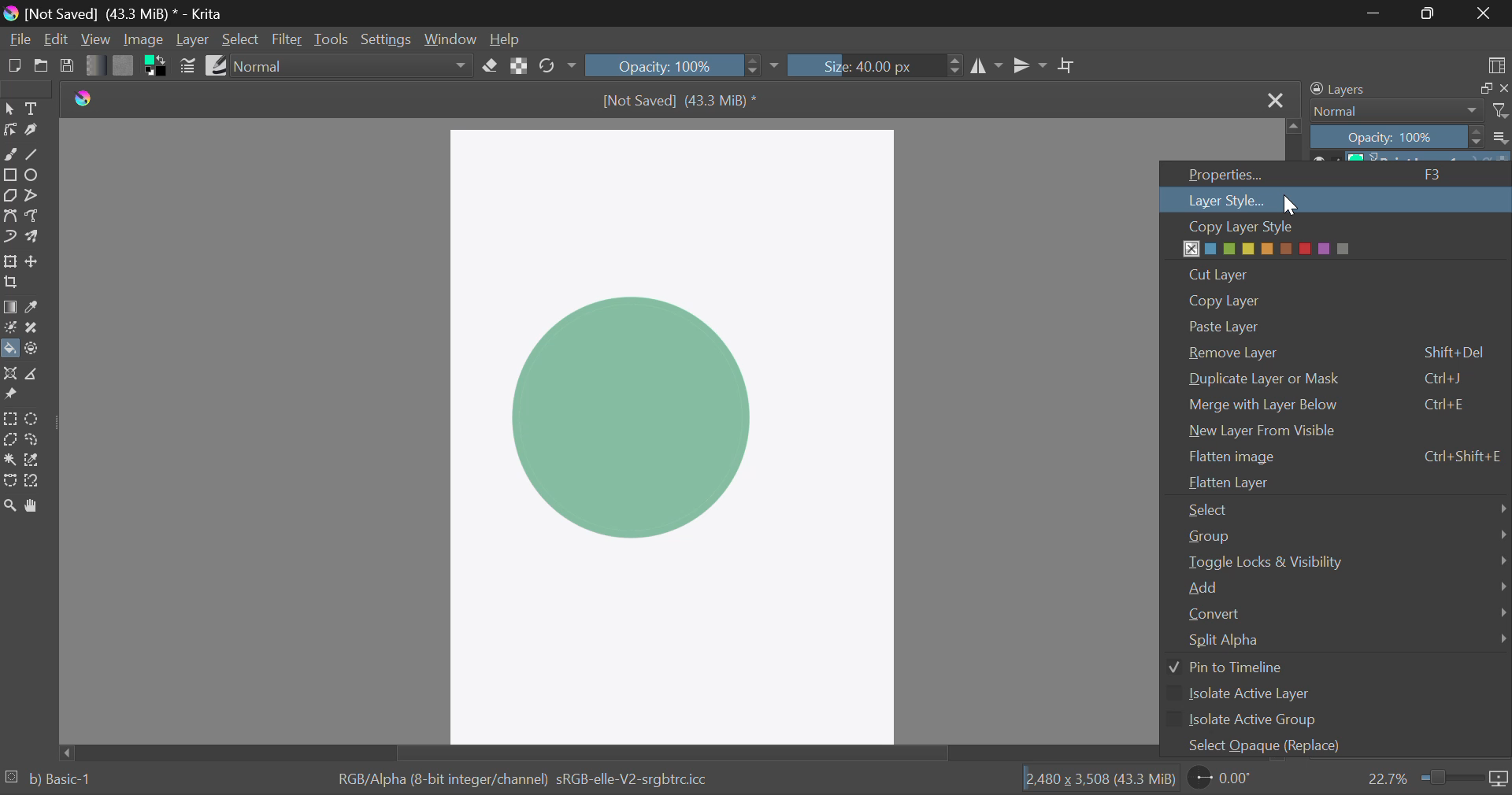 This screenshot has height=795, width=1512. Describe the element at coordinates (491, 66) in the screenshot. I see `Eraser` at that location.